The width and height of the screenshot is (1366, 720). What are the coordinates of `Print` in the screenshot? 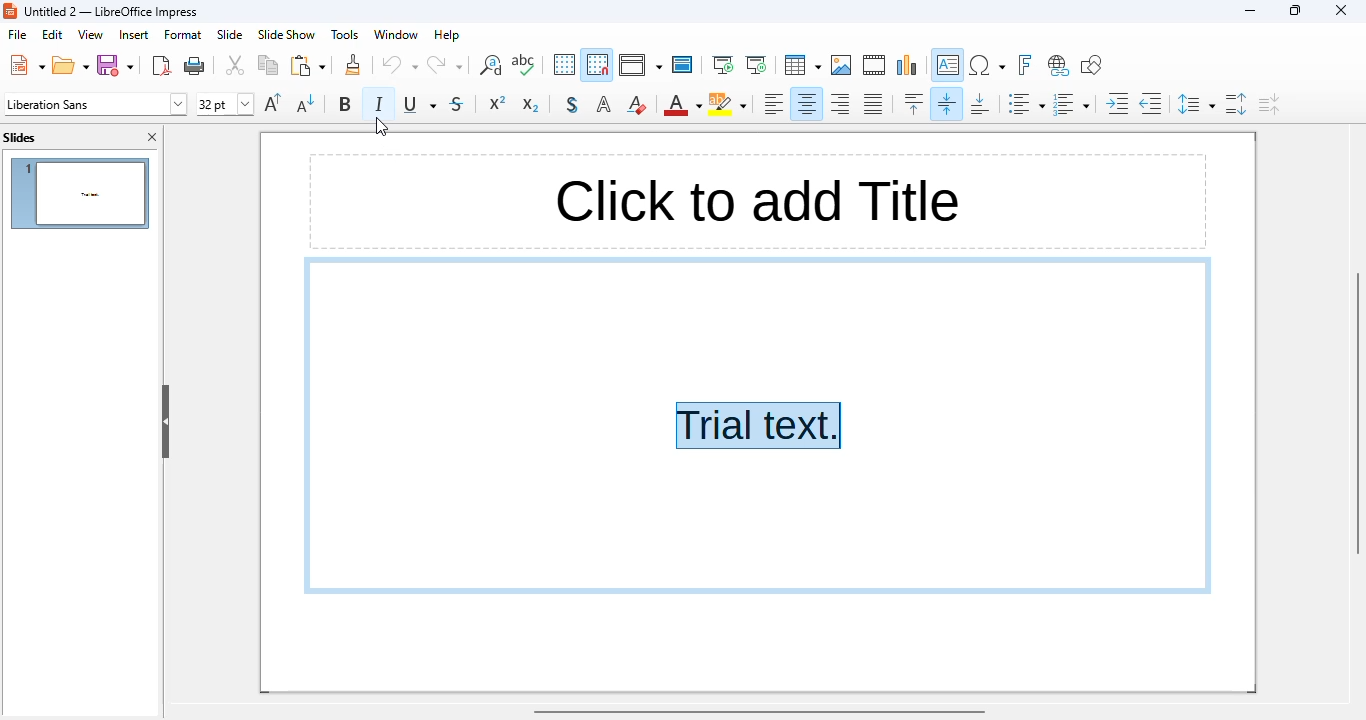 It's located at (195, 66).